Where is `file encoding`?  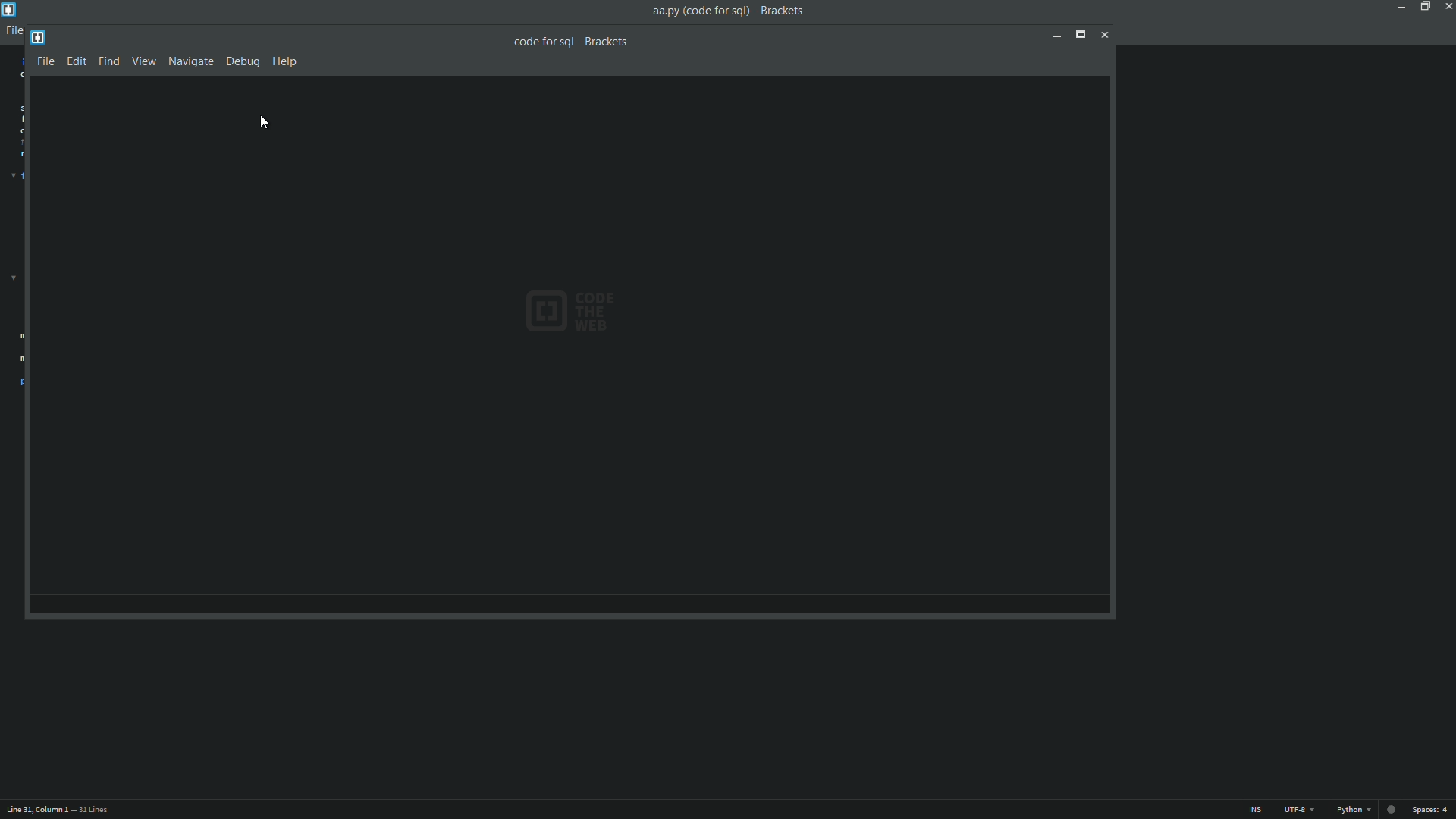
file encoding is located at coordinates (1298, 811).